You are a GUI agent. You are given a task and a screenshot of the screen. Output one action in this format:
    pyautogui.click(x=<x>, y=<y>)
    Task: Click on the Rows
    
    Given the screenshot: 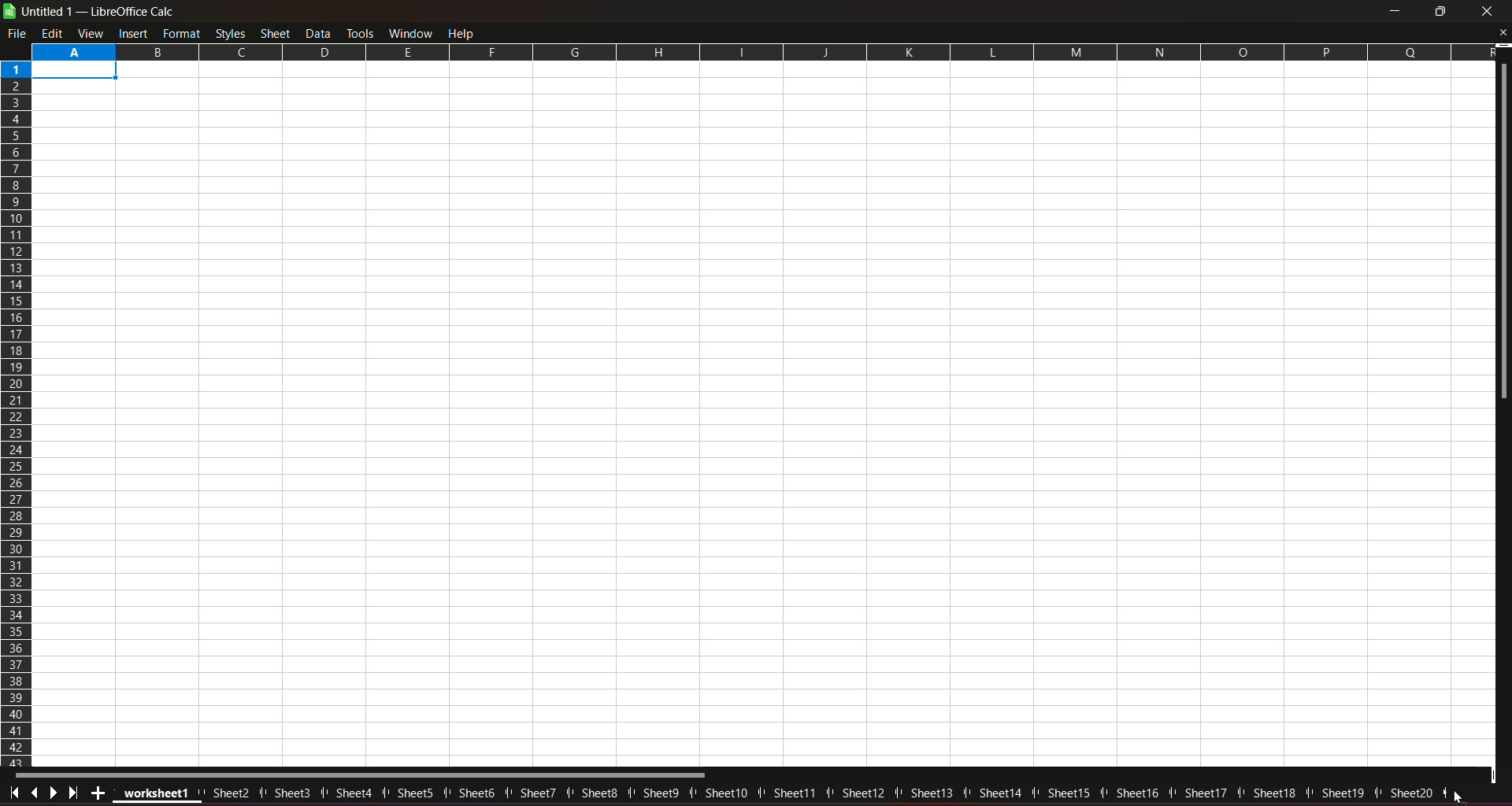 What is the action you would take?
    pyautogui.click(x=17, y=412)
    